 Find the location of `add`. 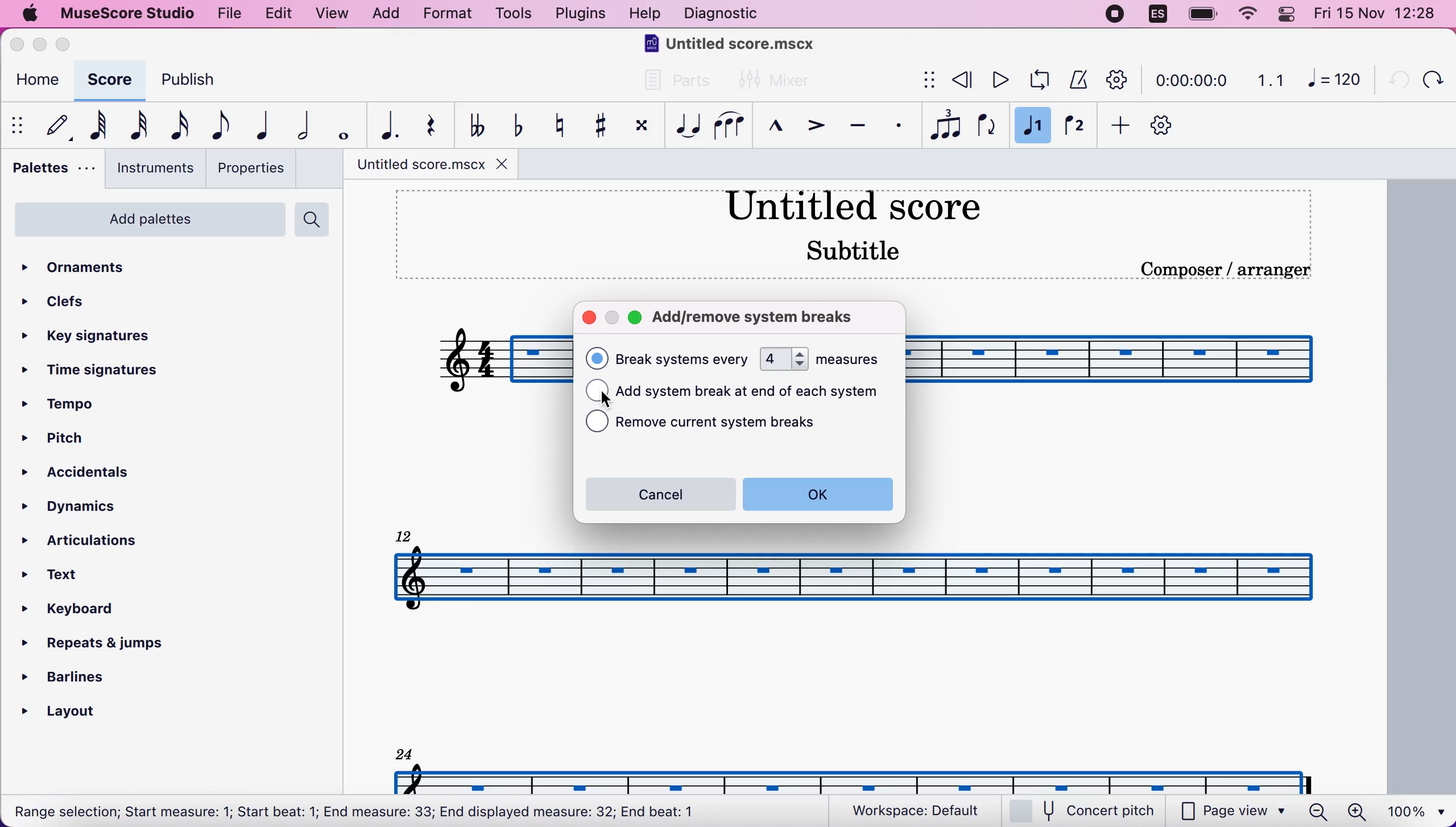

add is located at coordinates (385, 14).